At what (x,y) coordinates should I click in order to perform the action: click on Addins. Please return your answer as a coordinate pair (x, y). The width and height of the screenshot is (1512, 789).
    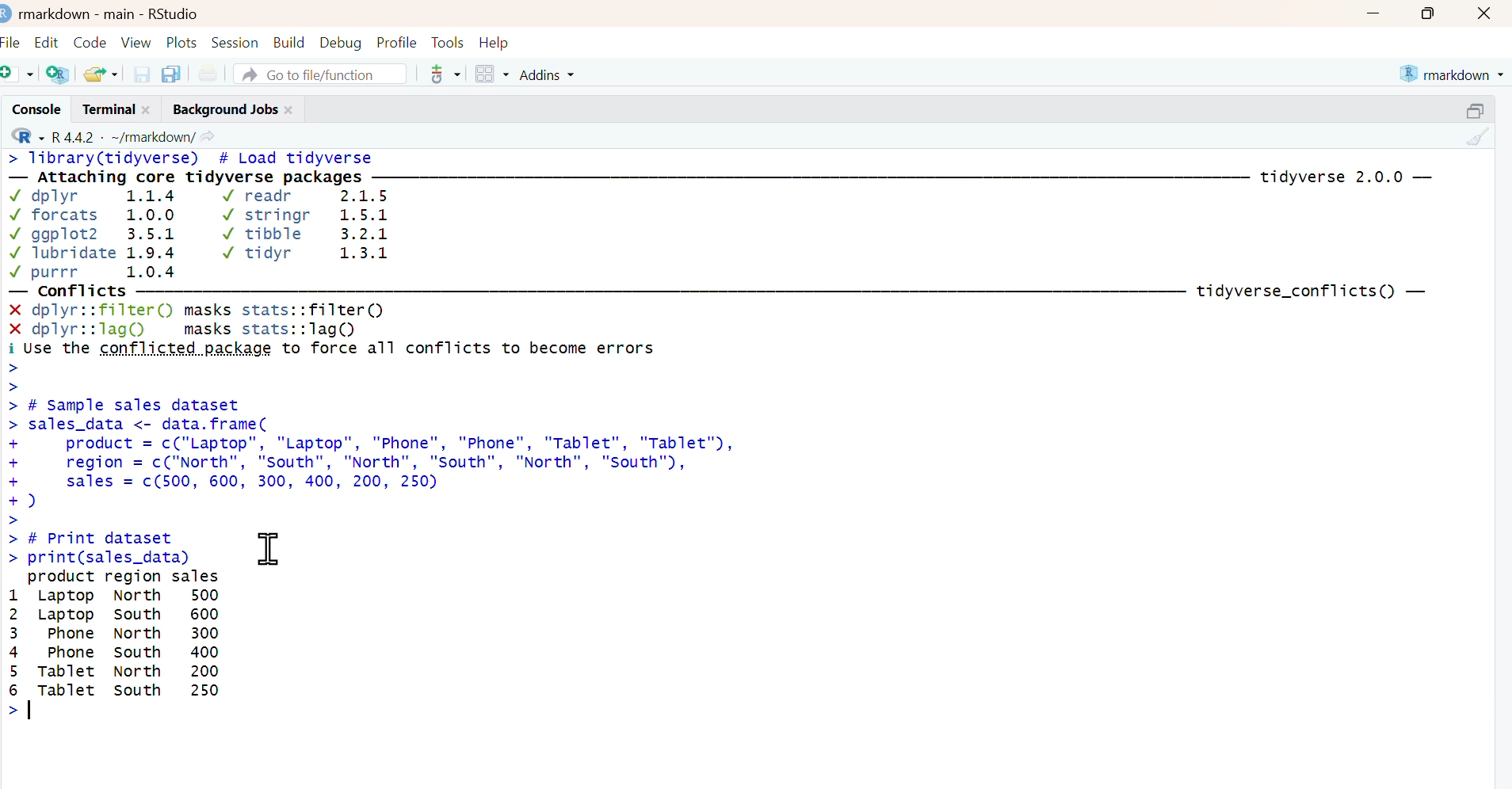
    Looking at the image, I should click on (550, 74).